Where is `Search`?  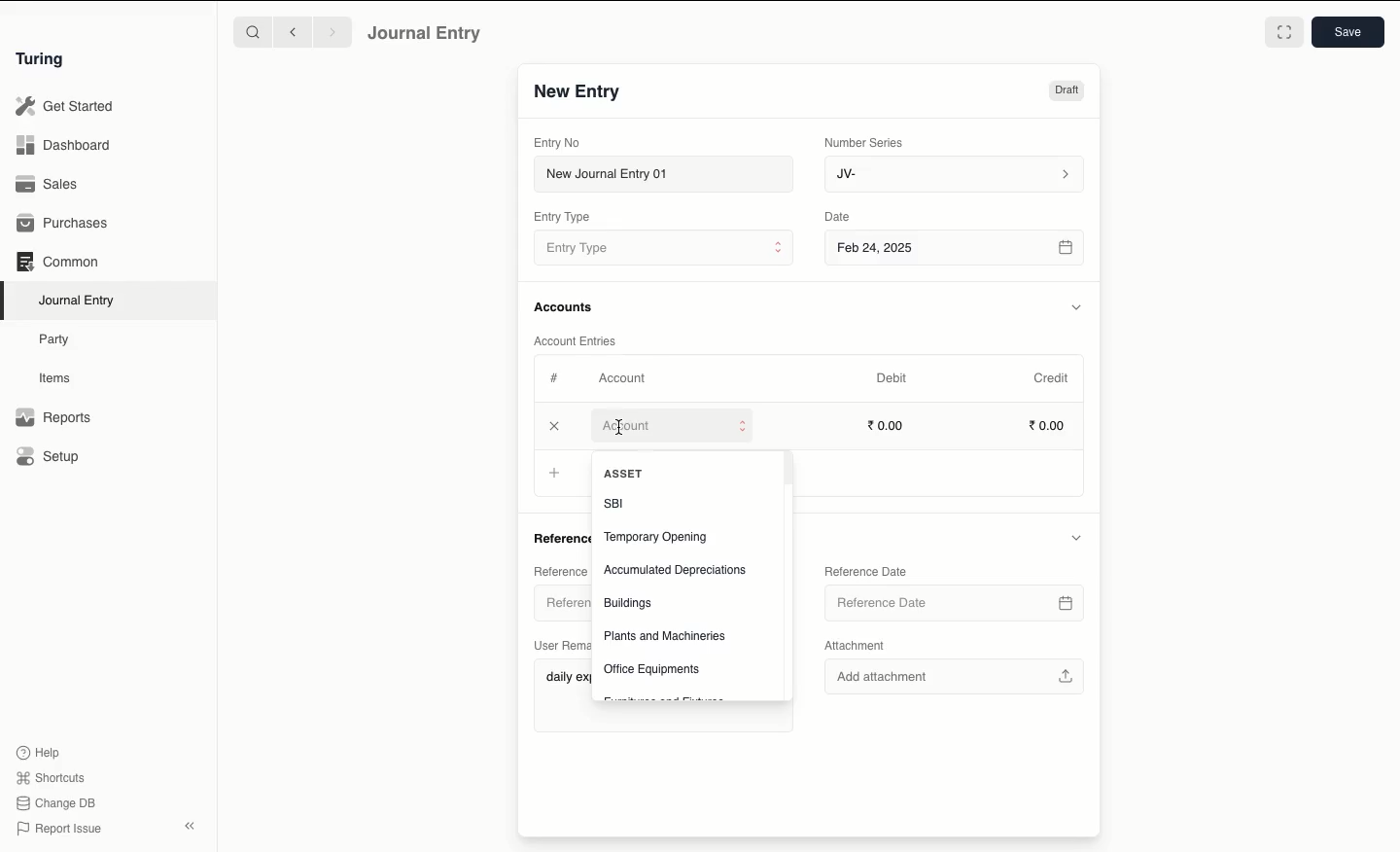
Search is located at coordinates (252, 31).